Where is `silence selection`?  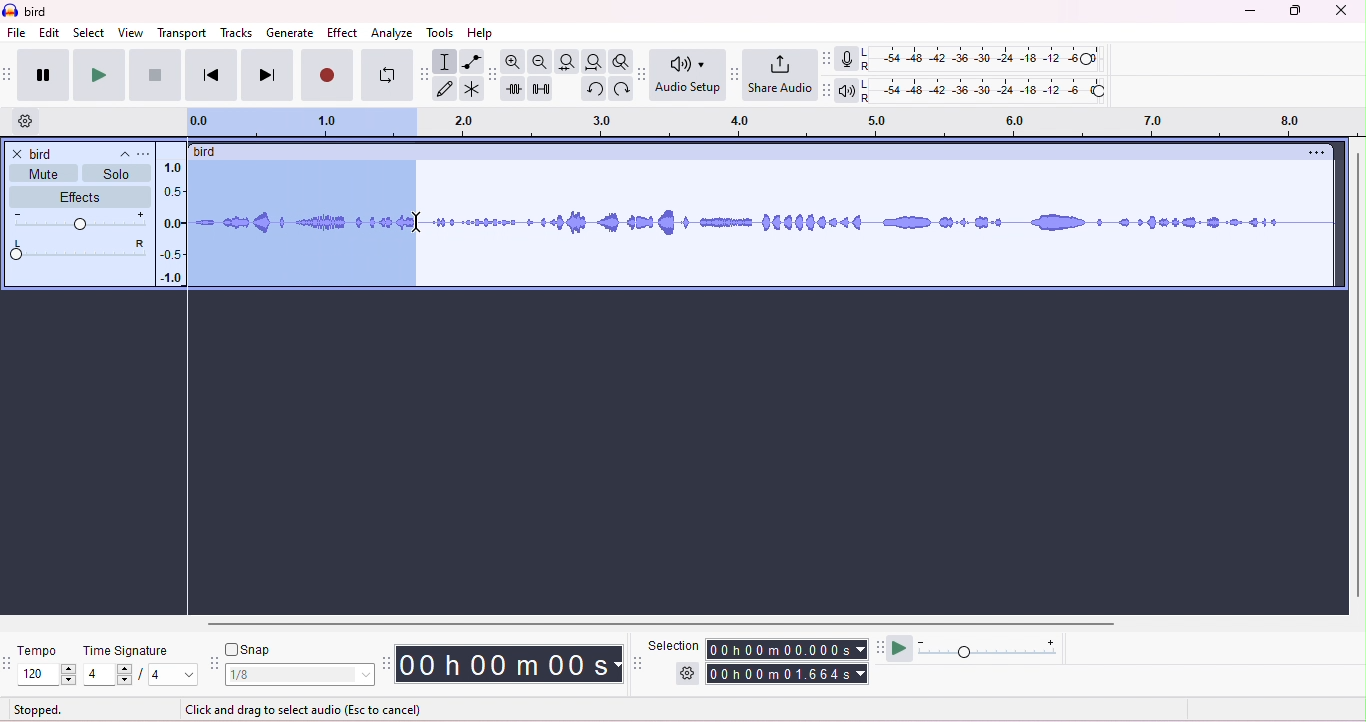 silence selection is located at coordinates (544, 89).